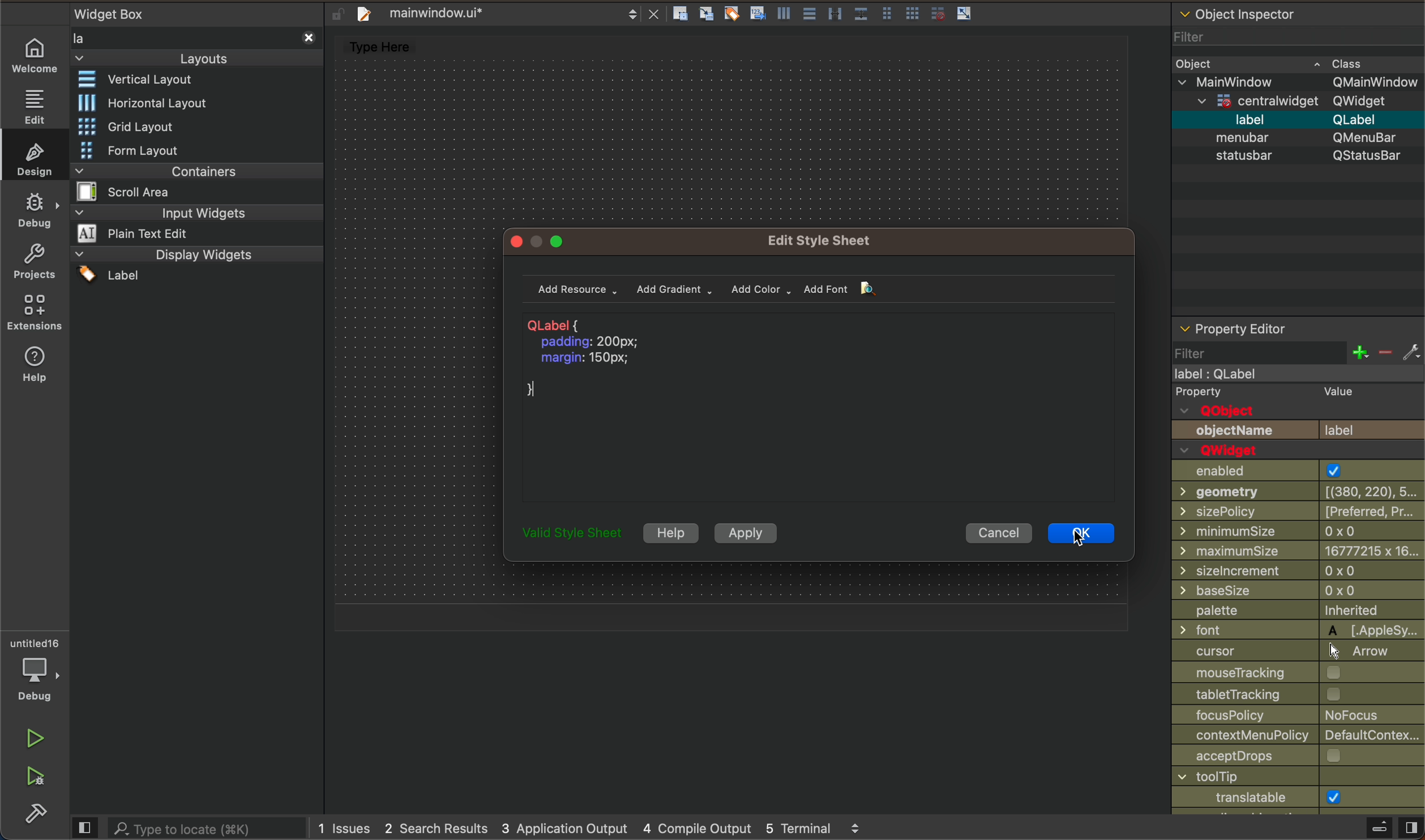 The width and height of the screenshot is (1425, 840). I want to click on debug, so click(37, 211).